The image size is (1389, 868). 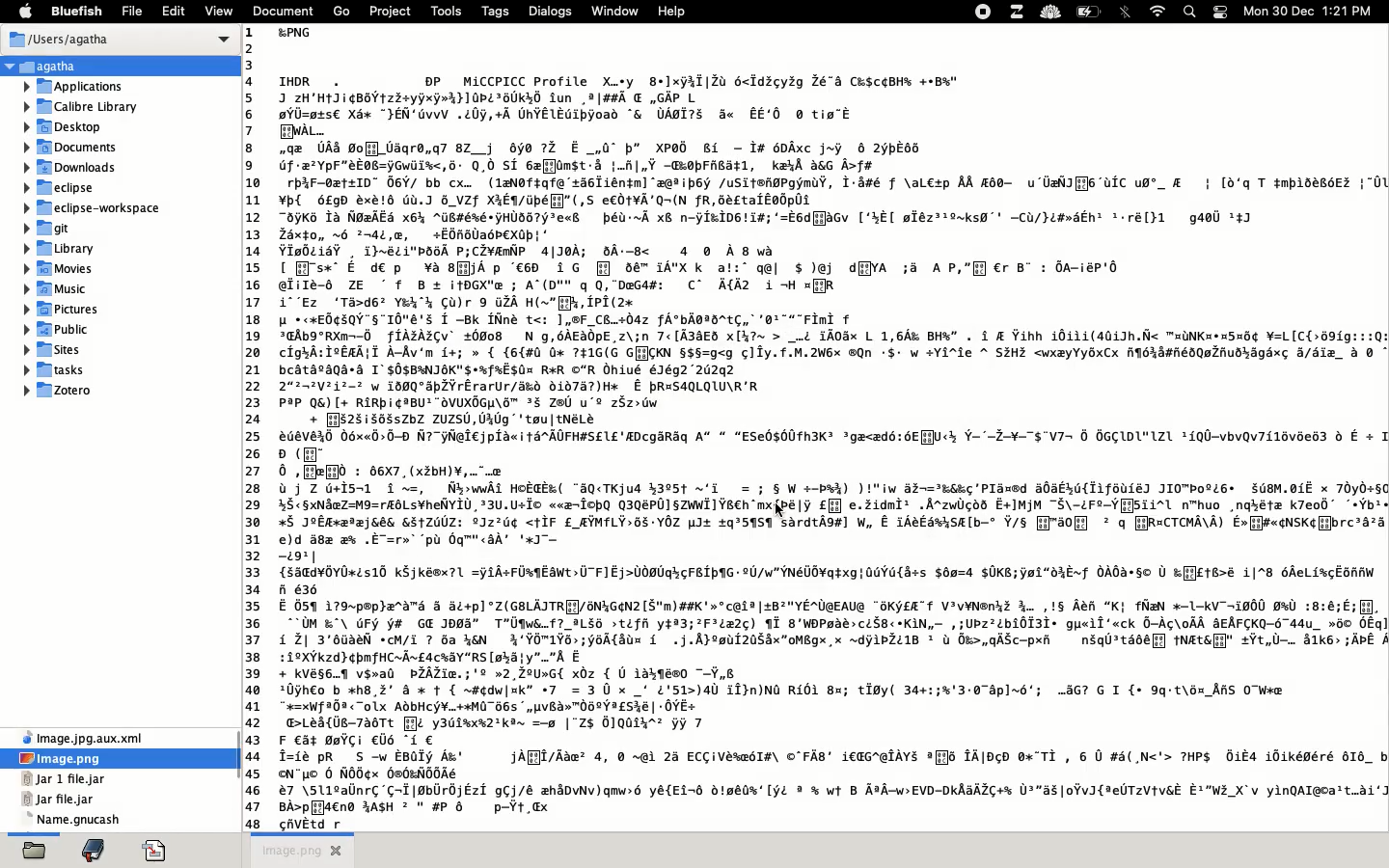 What do you see at coordinates (73, 167) in the screenshot?
I see `downloads` at bounding box center [73, 167].